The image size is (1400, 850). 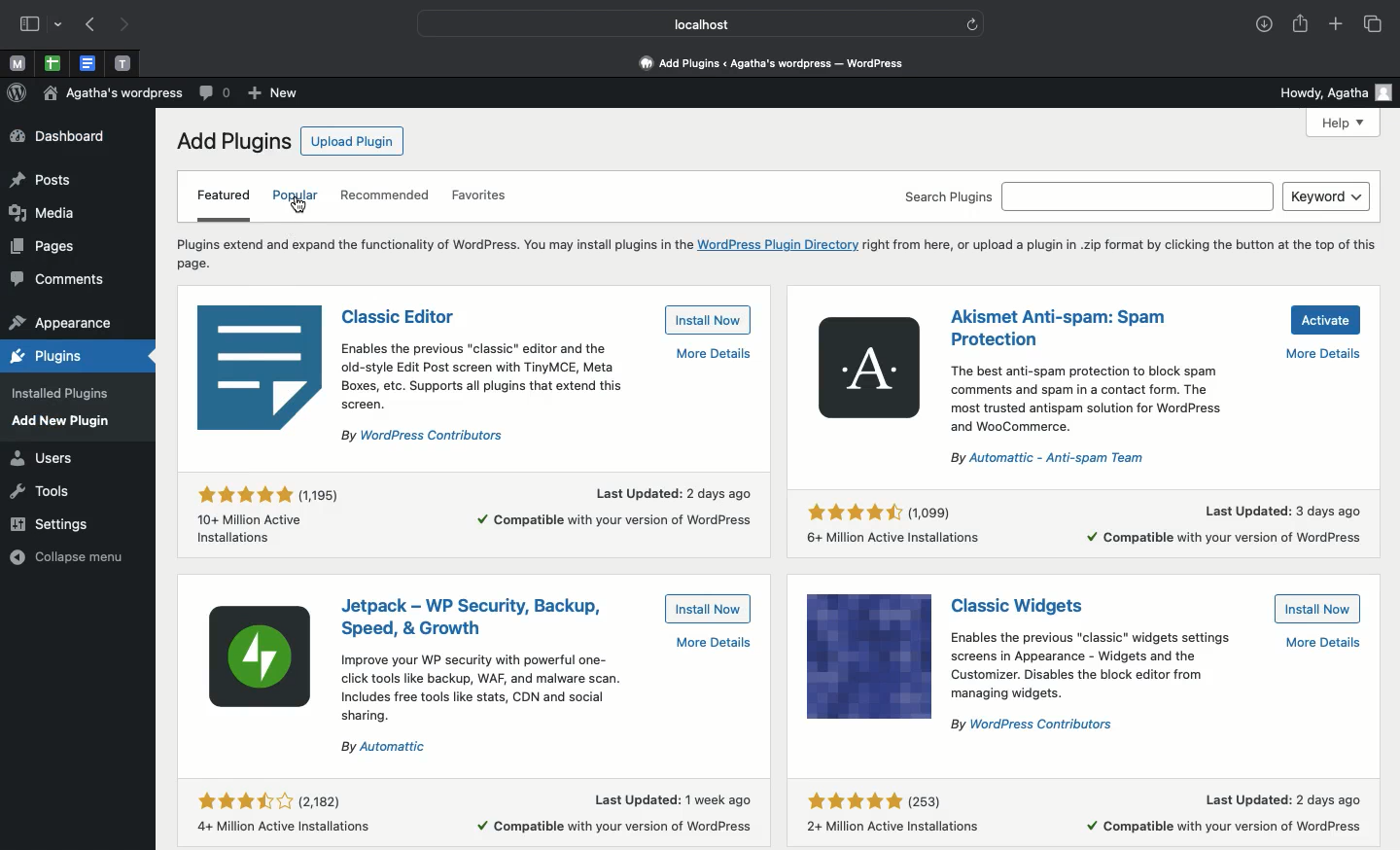 What do you see at coordinates (1318, 356) in the screenshot?
I see `More details` at bounding box center [1318, 356].